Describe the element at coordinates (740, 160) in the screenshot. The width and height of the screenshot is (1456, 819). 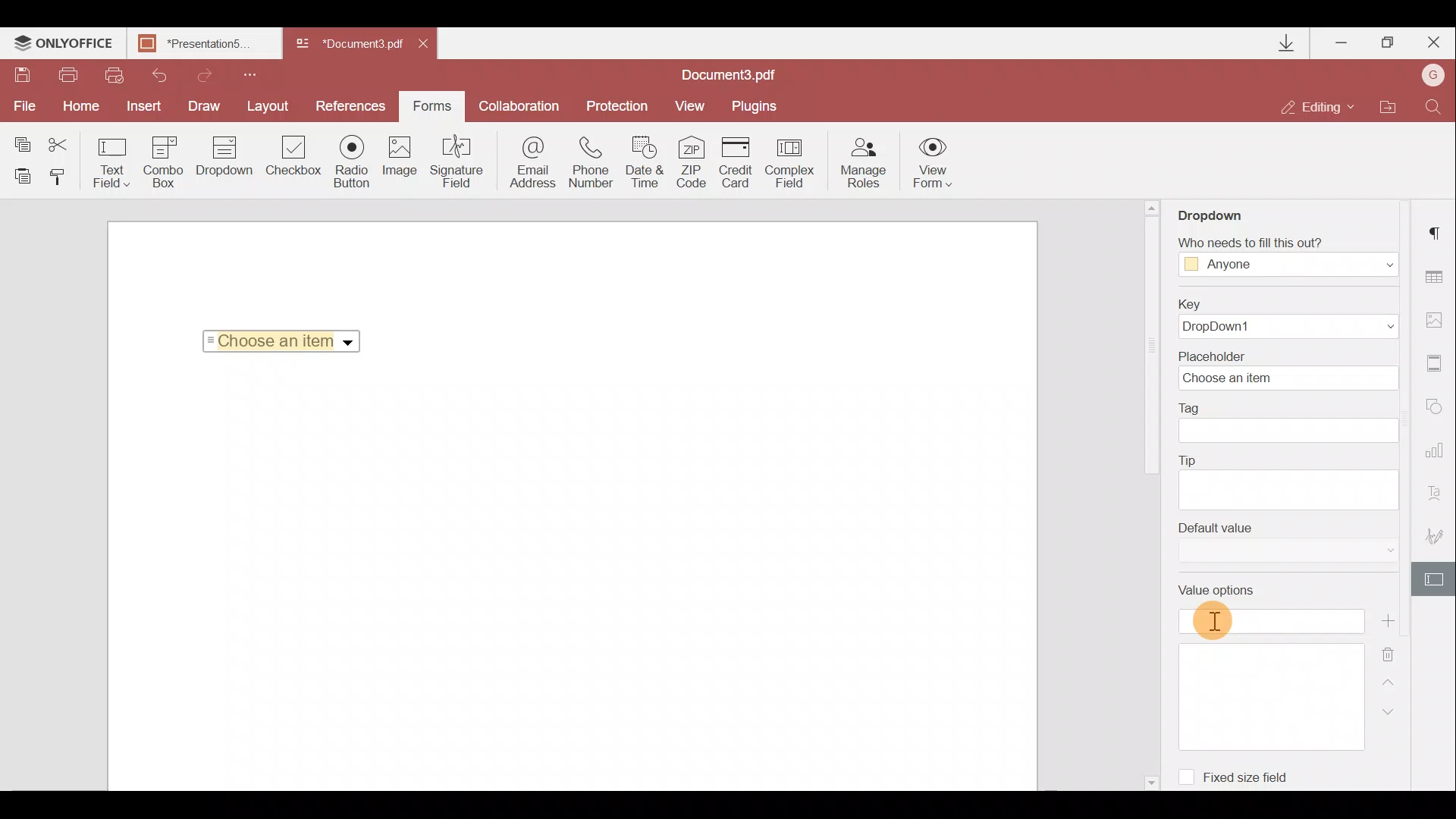
I see `Credit card` at that location.